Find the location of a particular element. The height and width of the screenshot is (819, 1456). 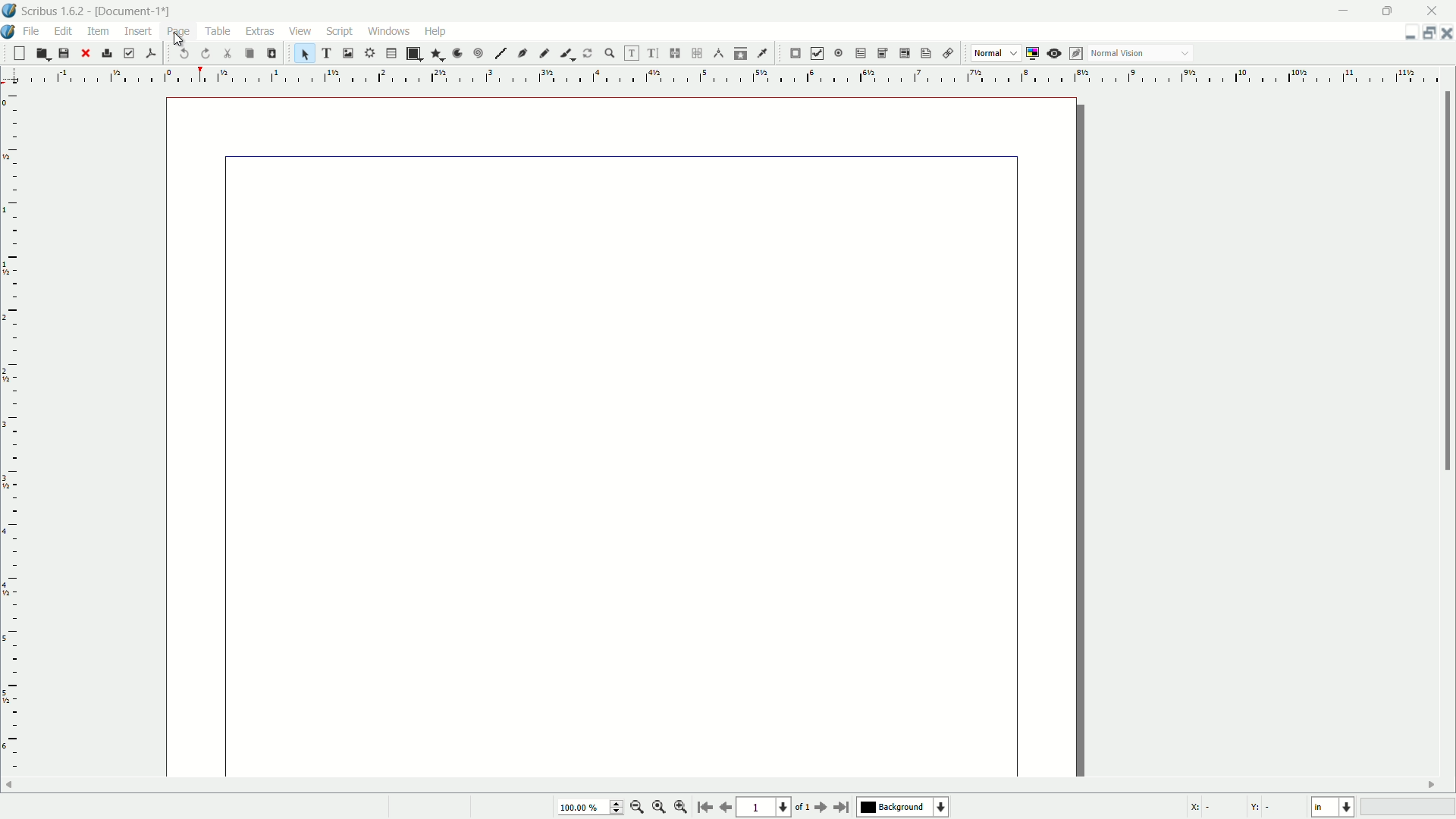

arc is located at coordinates (458, 53).